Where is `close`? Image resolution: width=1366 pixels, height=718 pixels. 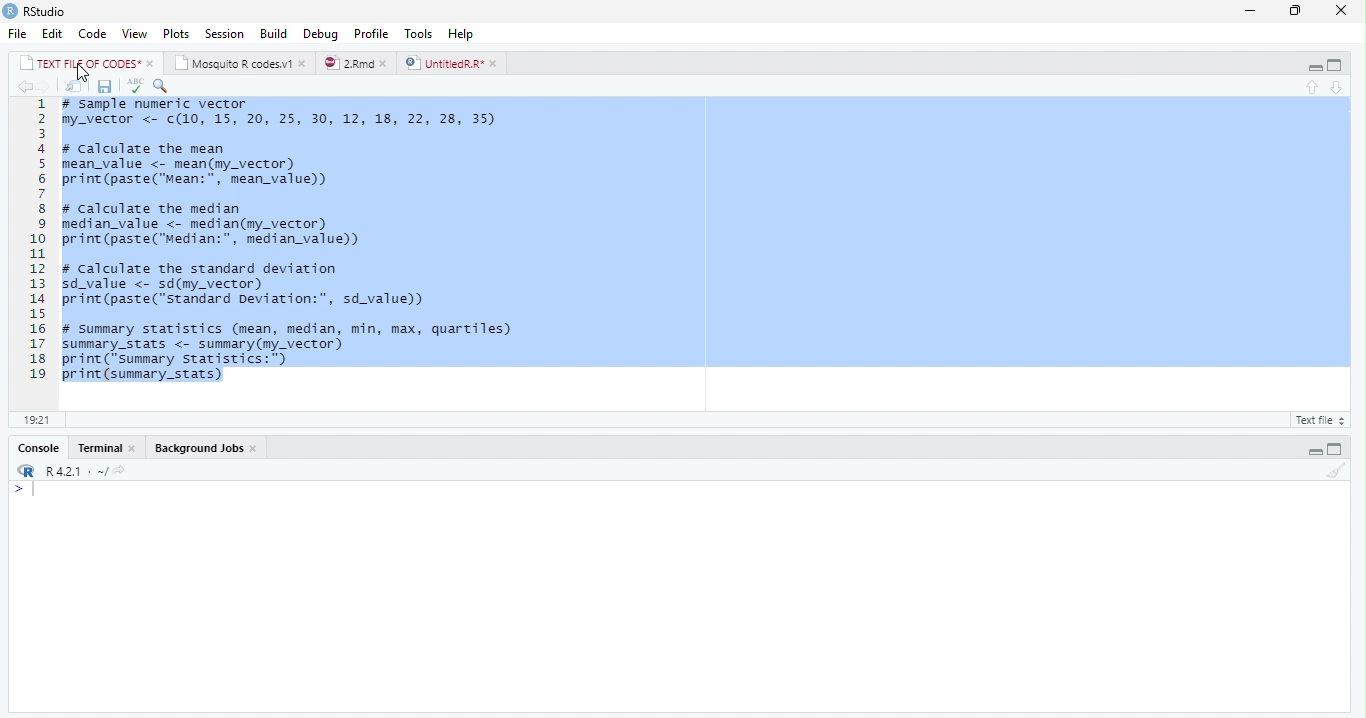
close is located at coordinates (496, 64).